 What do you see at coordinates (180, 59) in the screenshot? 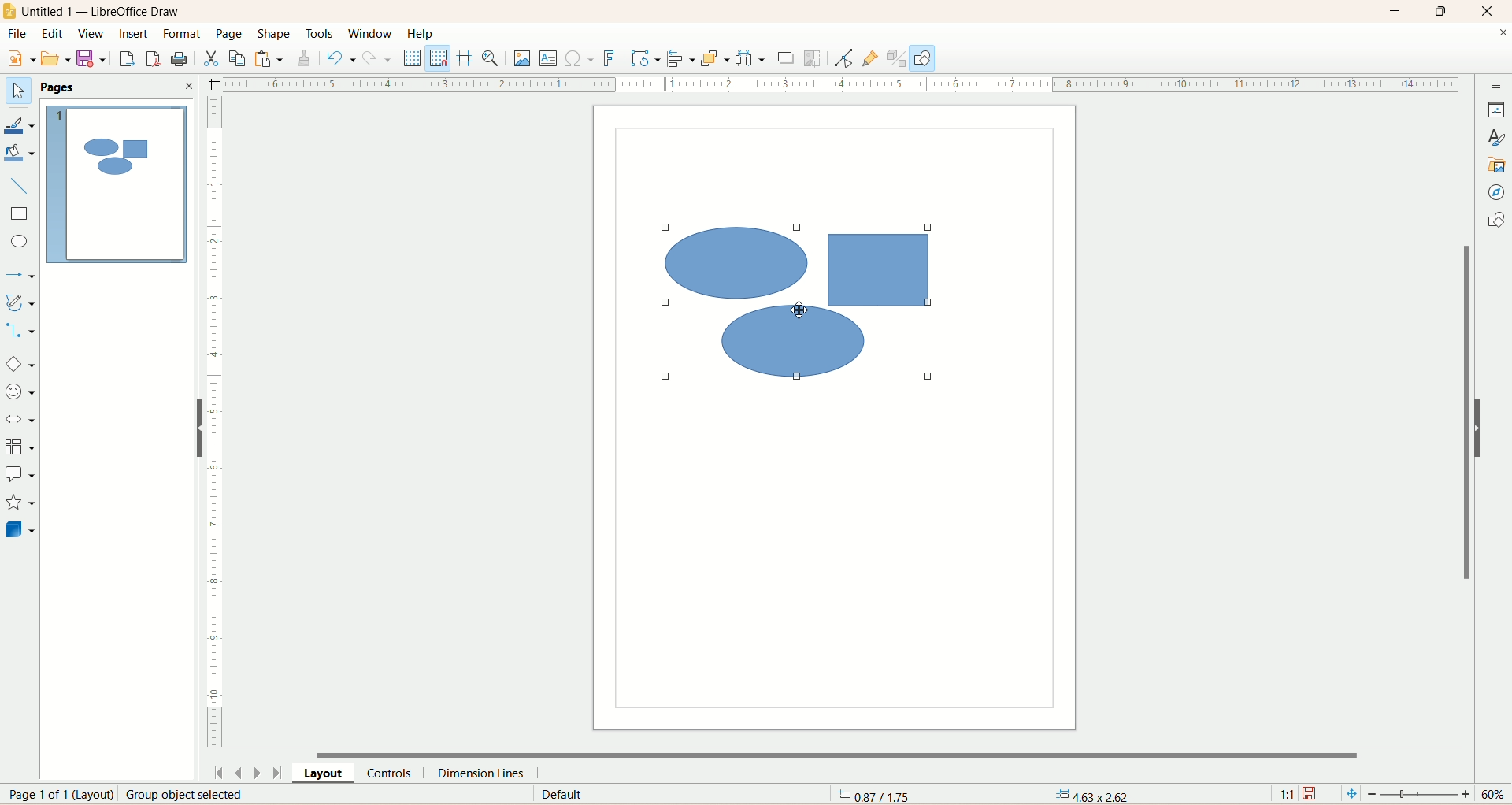
I see `print` at bounding box center [180, 59].